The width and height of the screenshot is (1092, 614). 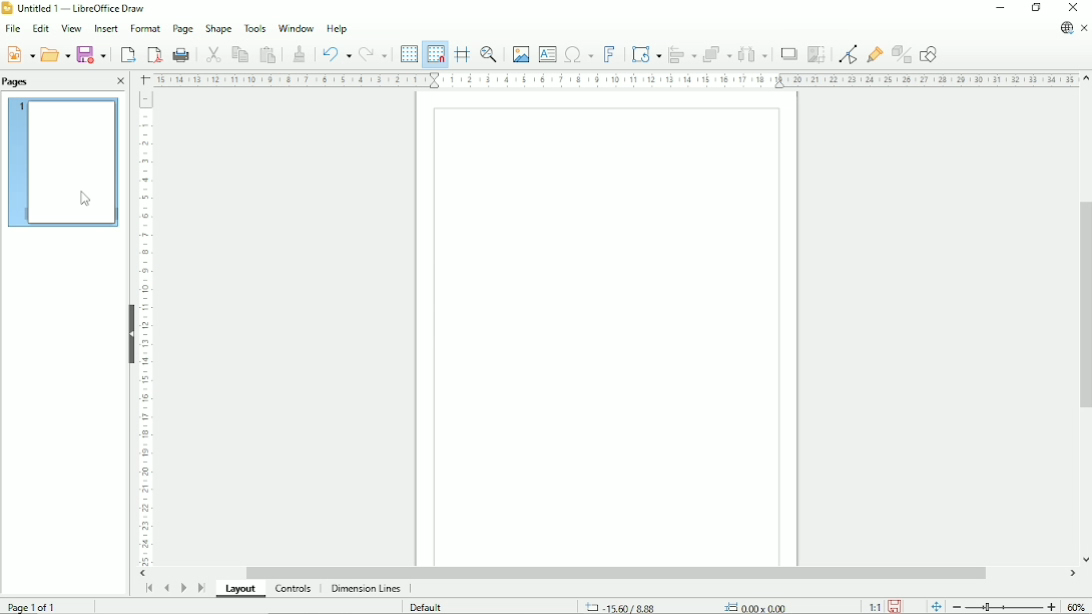 What do you see at coordinates (218, 28) in the screenshot?
I see `Shape` at bounding box center [218, 28].